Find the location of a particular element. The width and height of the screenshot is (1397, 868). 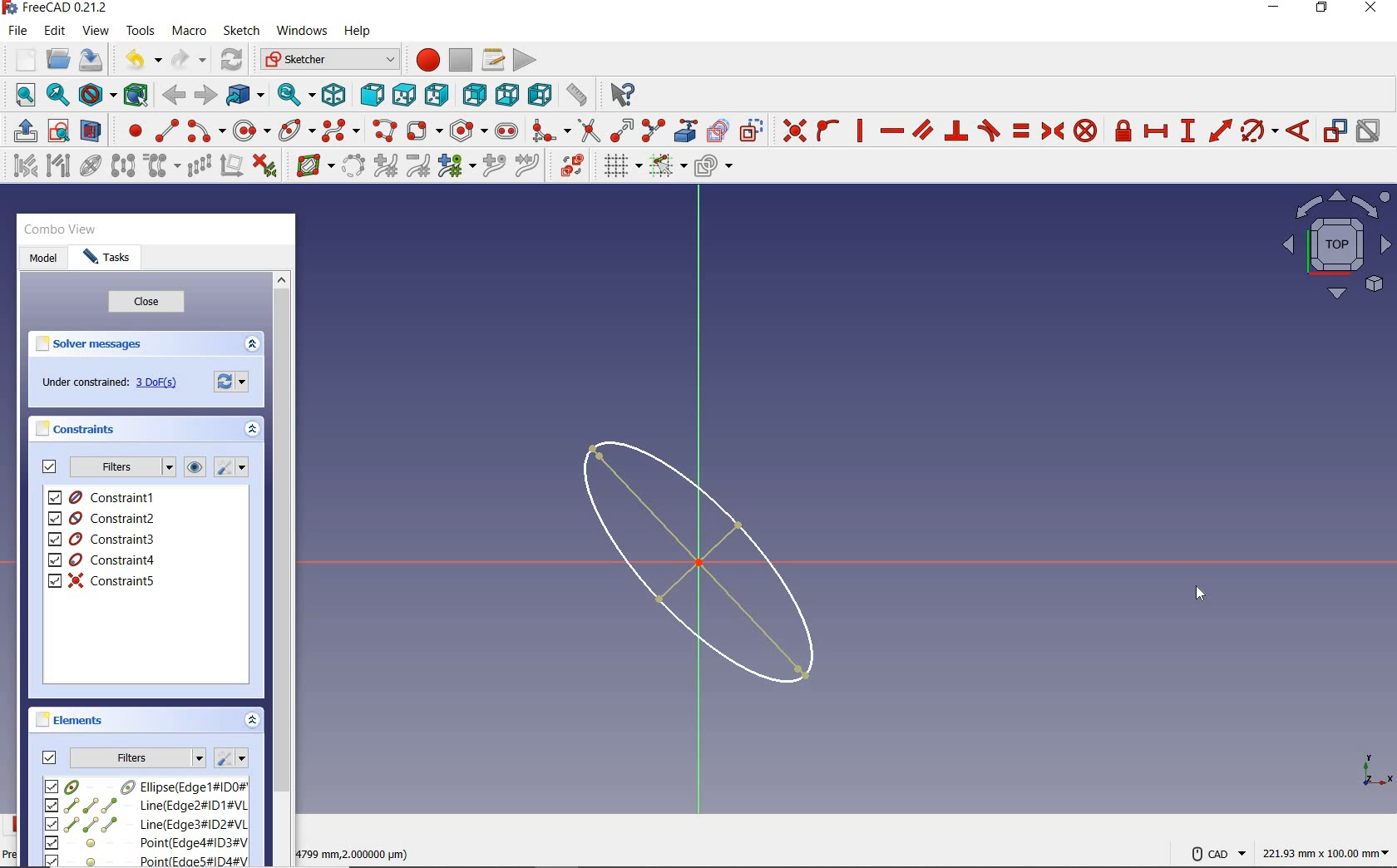

join curves is located at coordinates (528, 166).